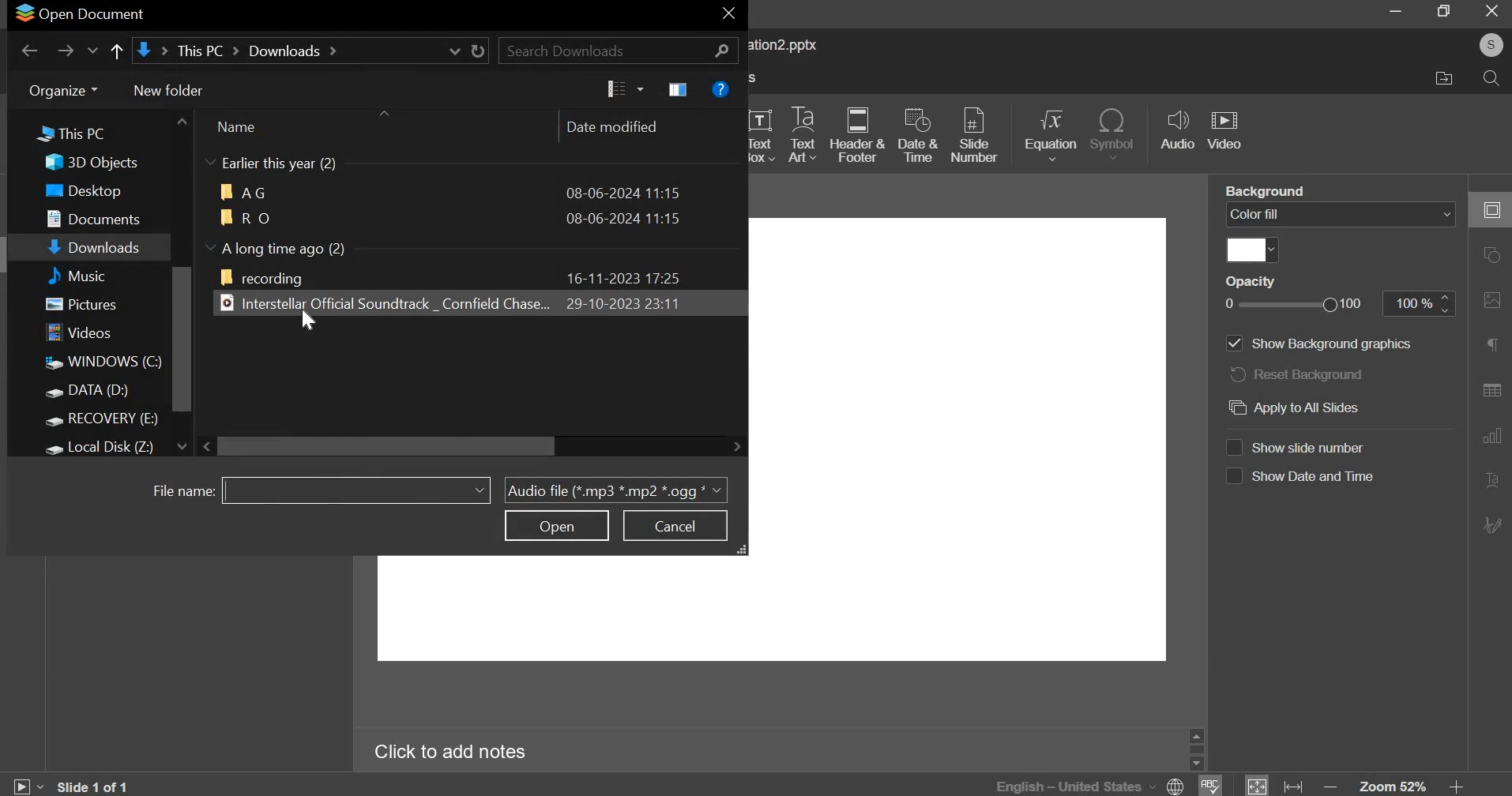 This screenshot has width=1512, height=796. I want to click on recent locations, so click(92, 50).